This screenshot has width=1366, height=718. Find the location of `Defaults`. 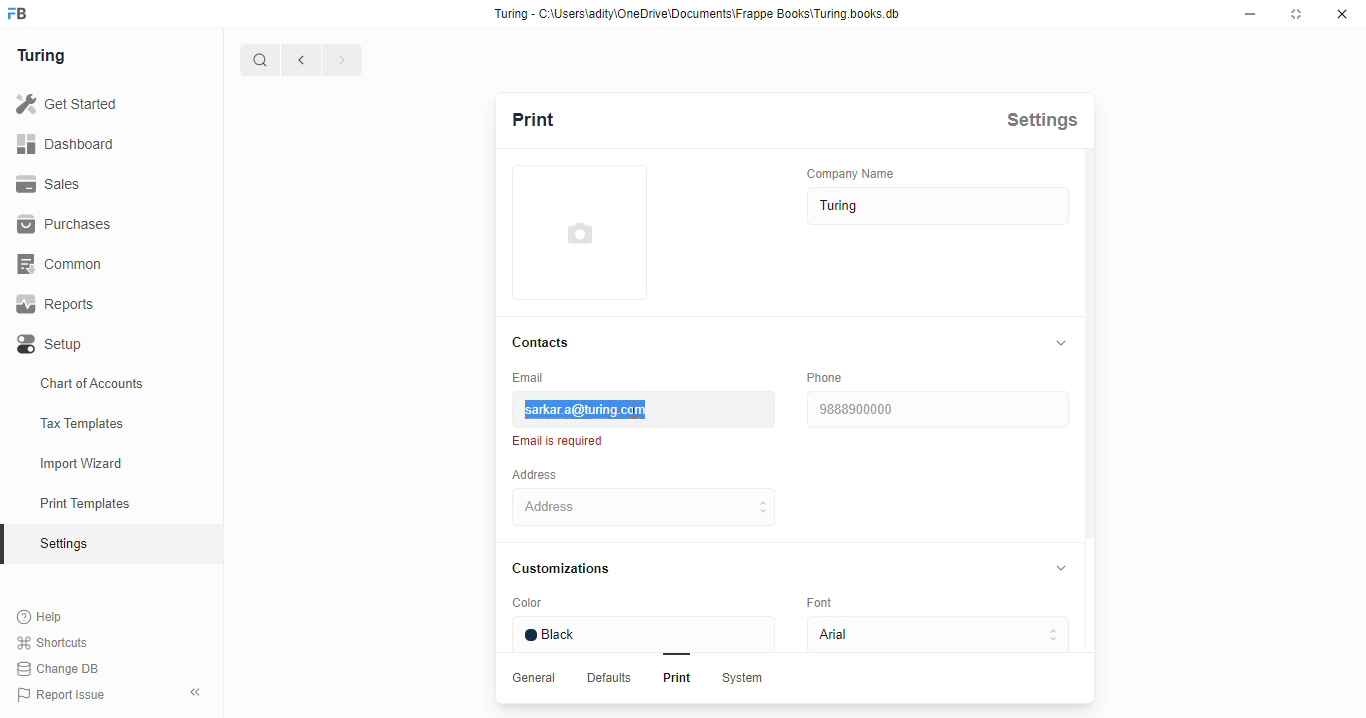

Defaults is located at coordinates (611, 679).